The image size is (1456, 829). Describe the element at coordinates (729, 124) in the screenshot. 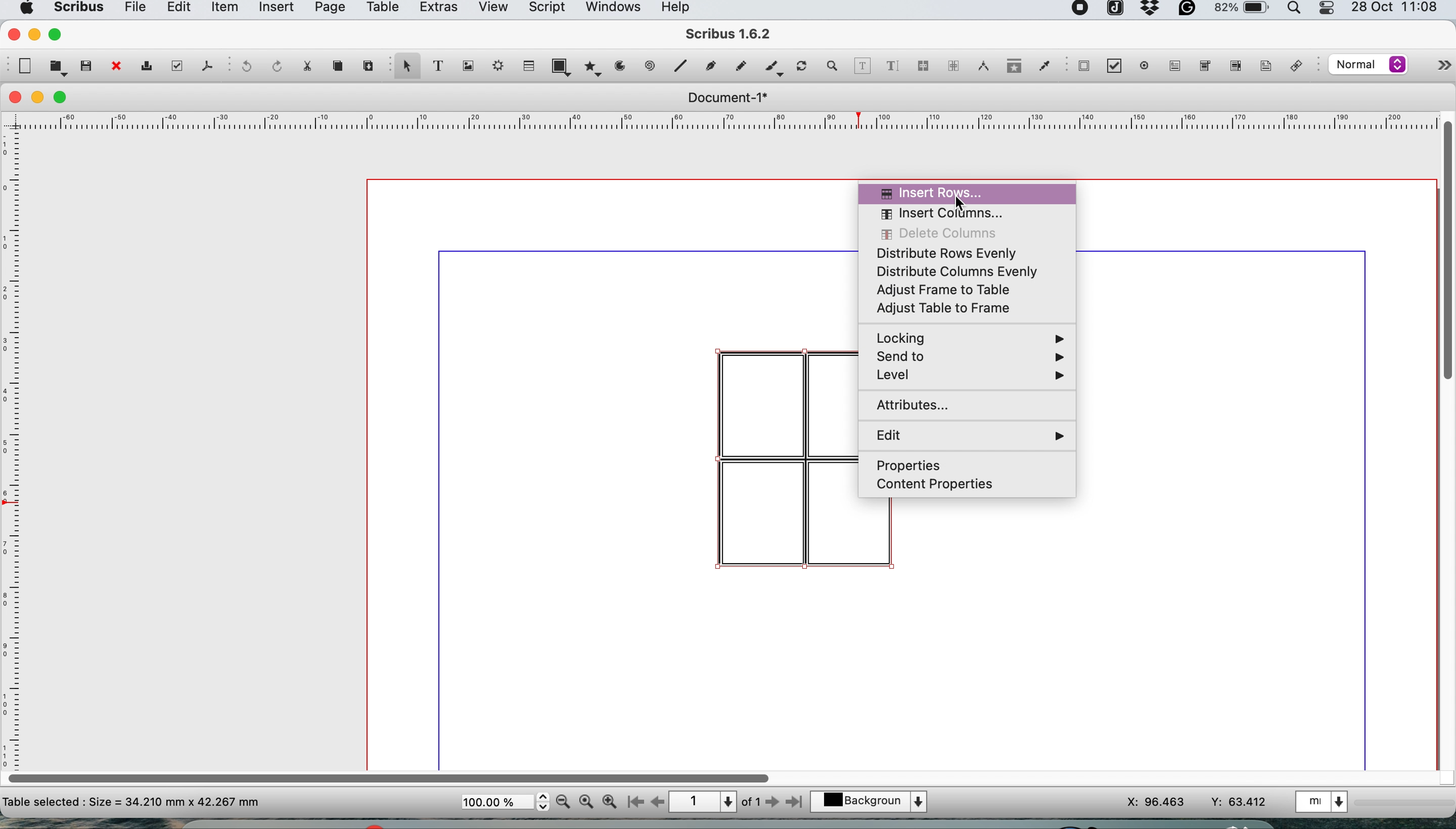

I see `horizontal scale` at that location.